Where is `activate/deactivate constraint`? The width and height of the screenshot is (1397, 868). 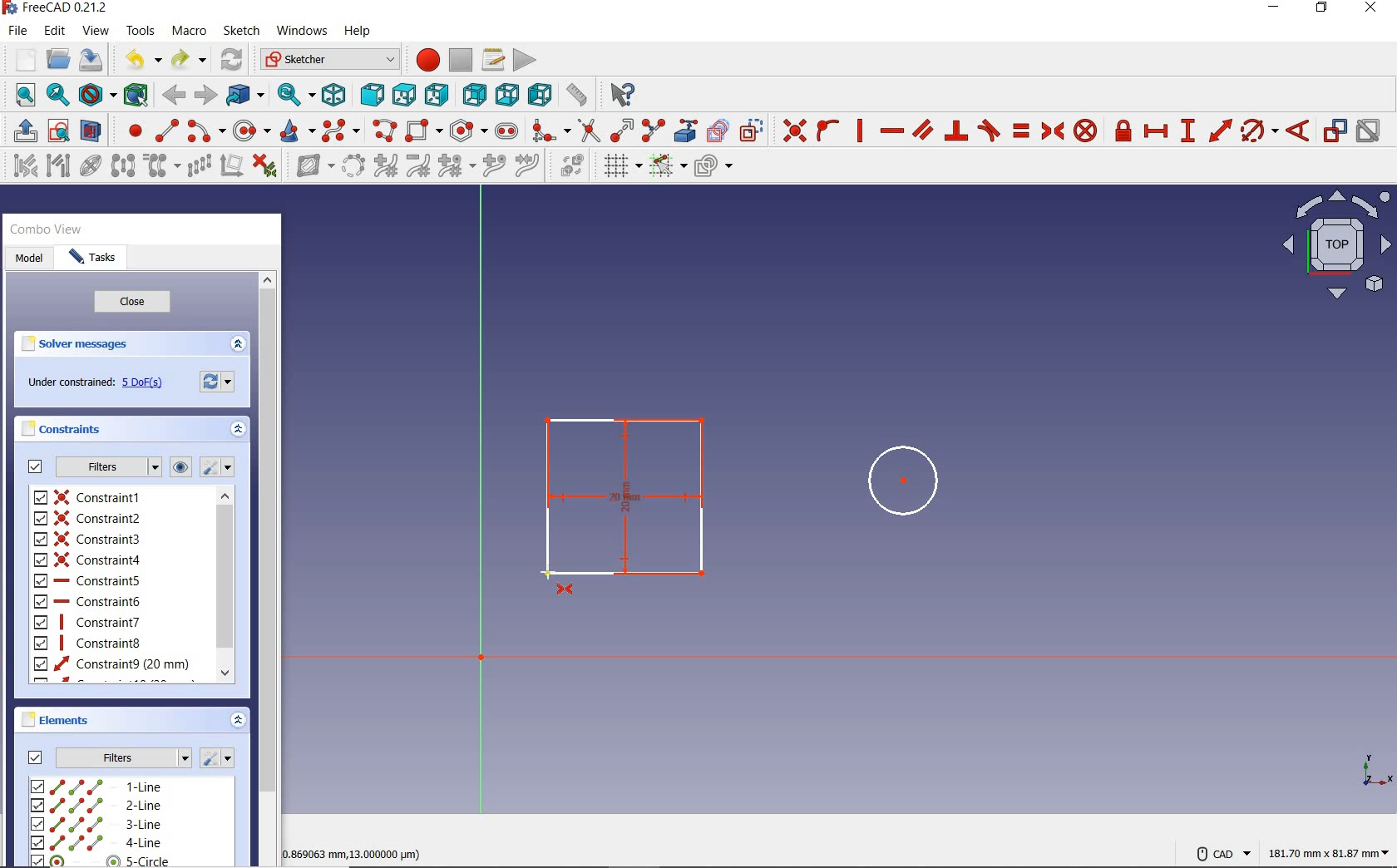
activate/deactivate constraint is located at coordinates (1369, 131).